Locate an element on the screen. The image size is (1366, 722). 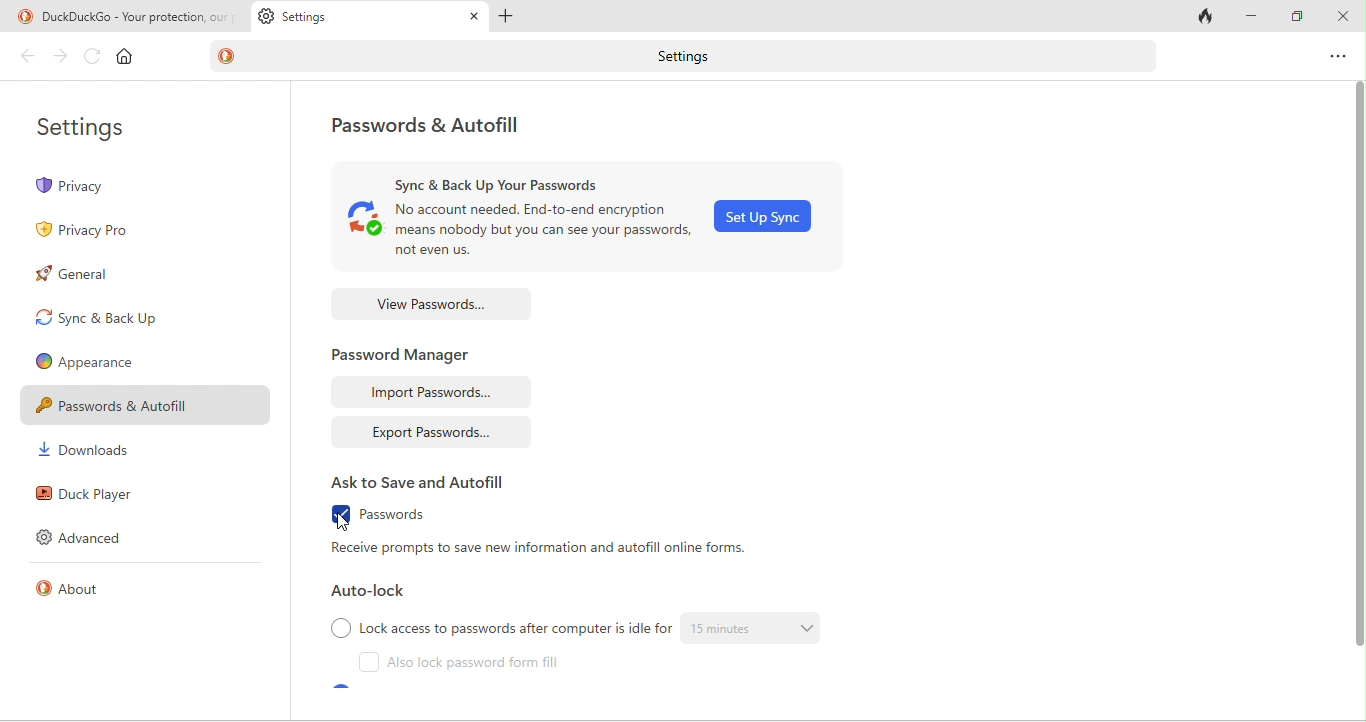
checkbox is located at coordinates (372, 665).